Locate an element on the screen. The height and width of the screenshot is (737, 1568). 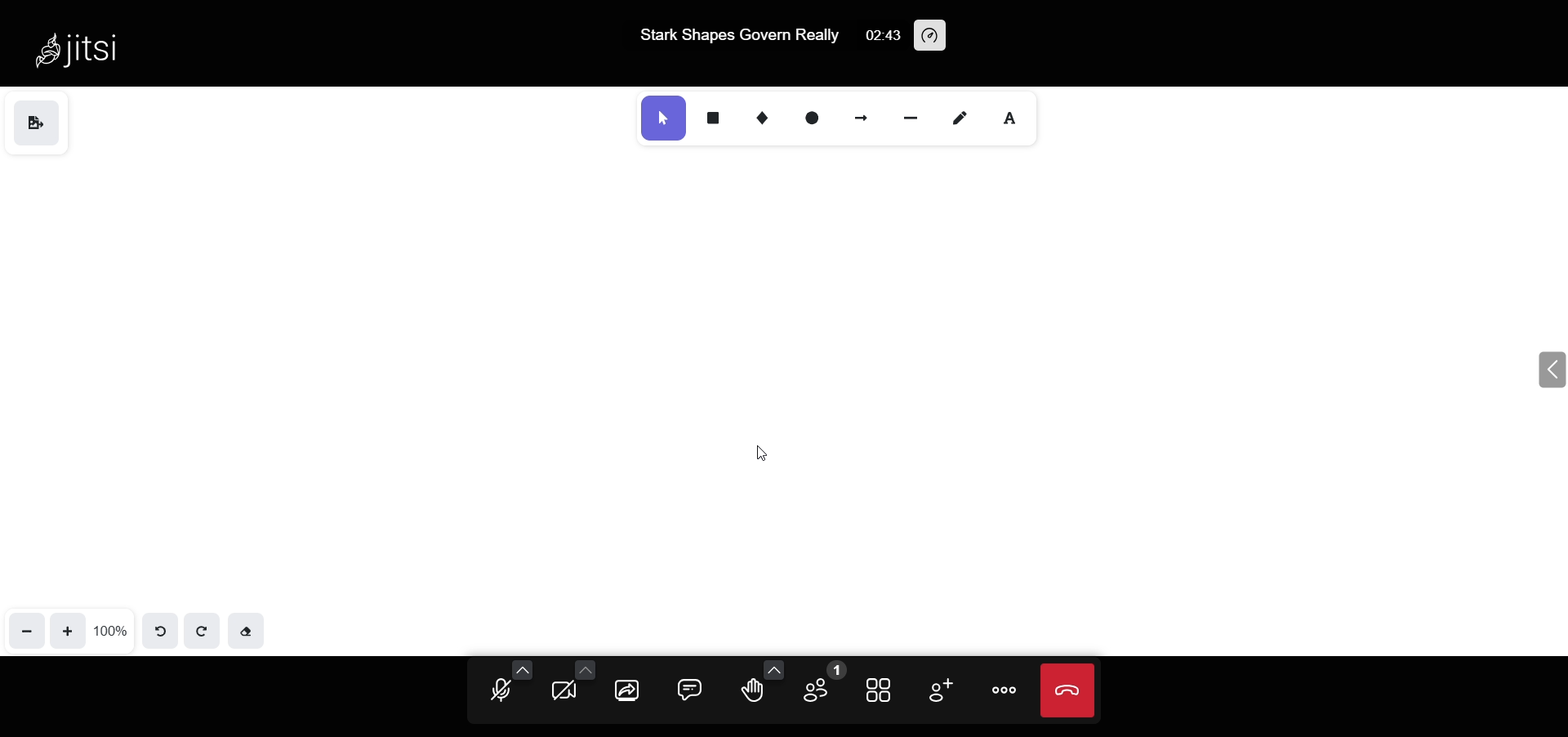
chat is located at coordinates (693, 689).